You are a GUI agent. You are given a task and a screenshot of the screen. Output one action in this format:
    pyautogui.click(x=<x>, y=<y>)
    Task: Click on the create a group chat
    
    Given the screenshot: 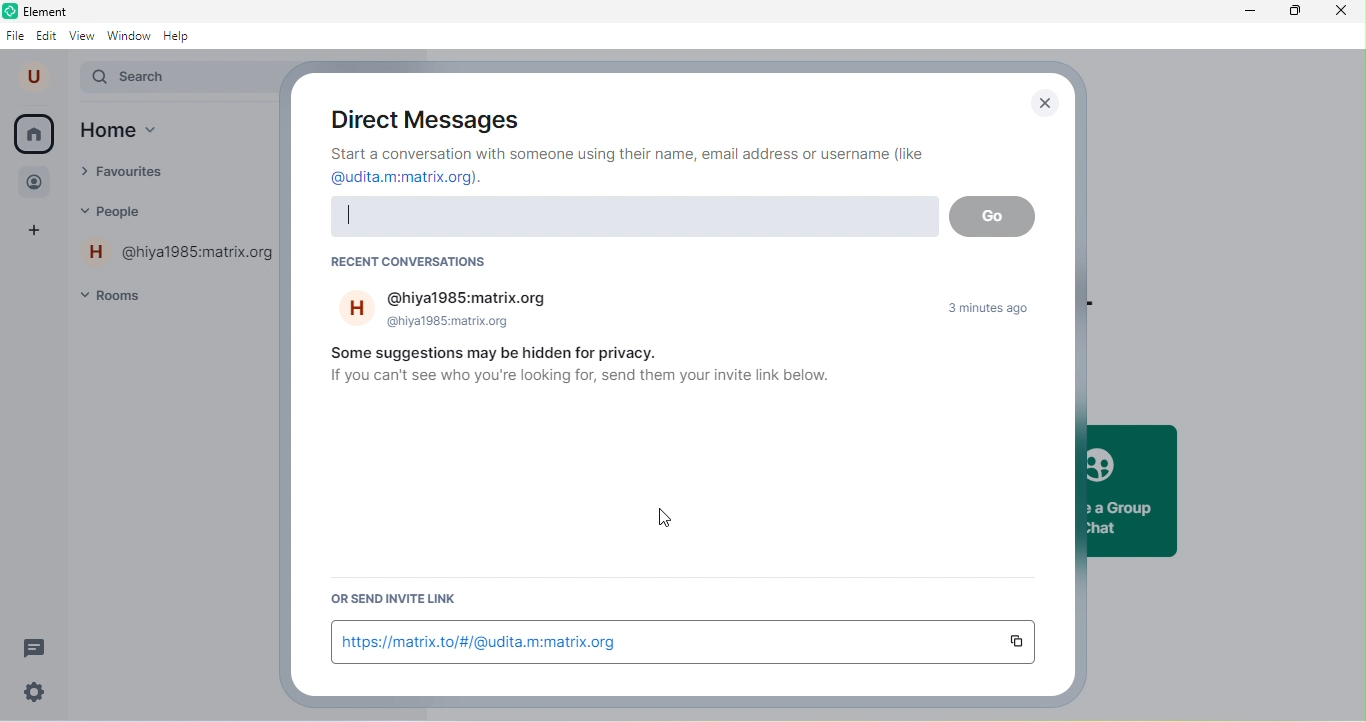 What is the action you would take?
    pyautogui.click(x=1129, y=490)
    